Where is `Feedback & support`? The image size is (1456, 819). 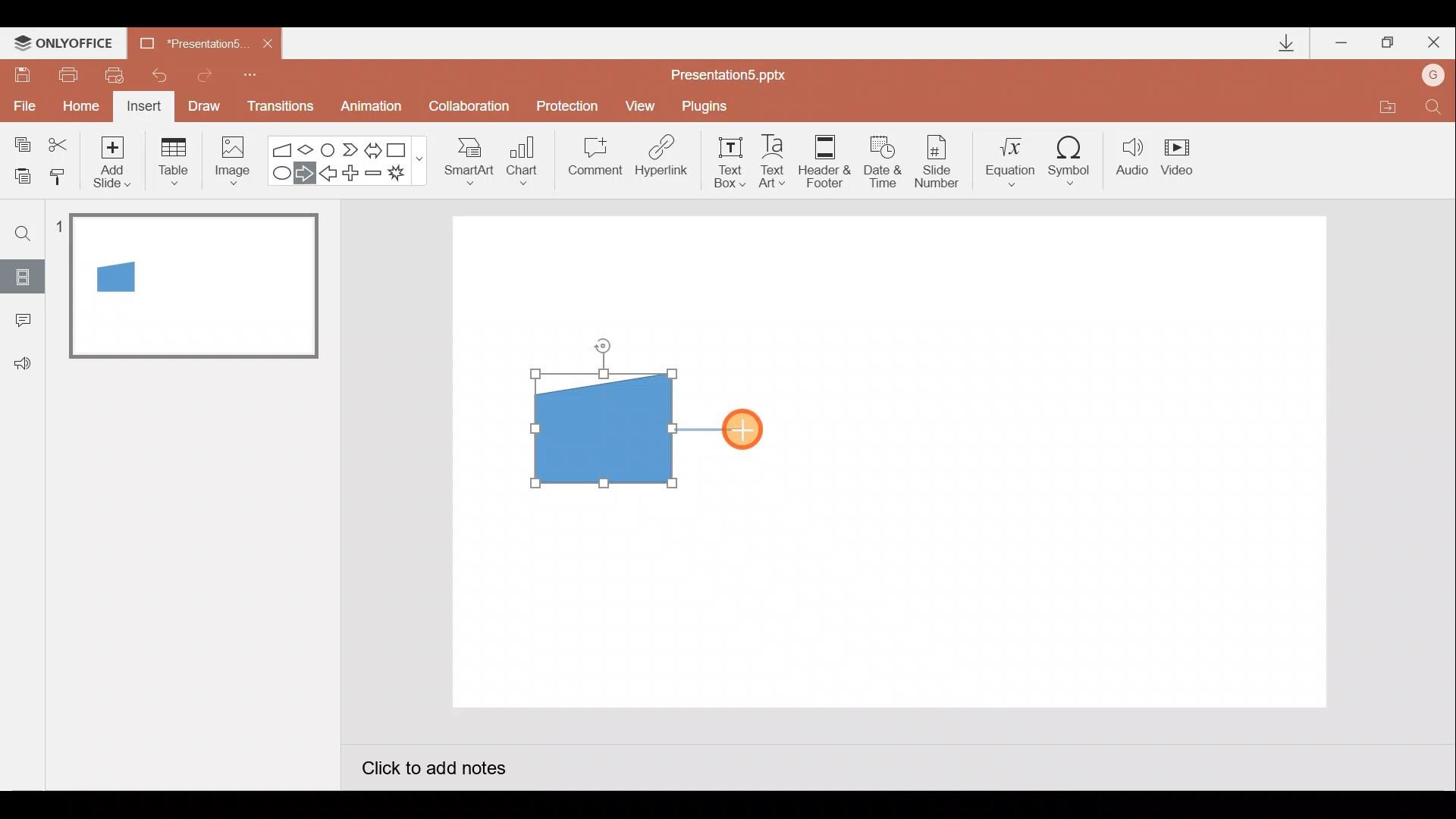 Feedback & support is located at coordinates (24, 362).